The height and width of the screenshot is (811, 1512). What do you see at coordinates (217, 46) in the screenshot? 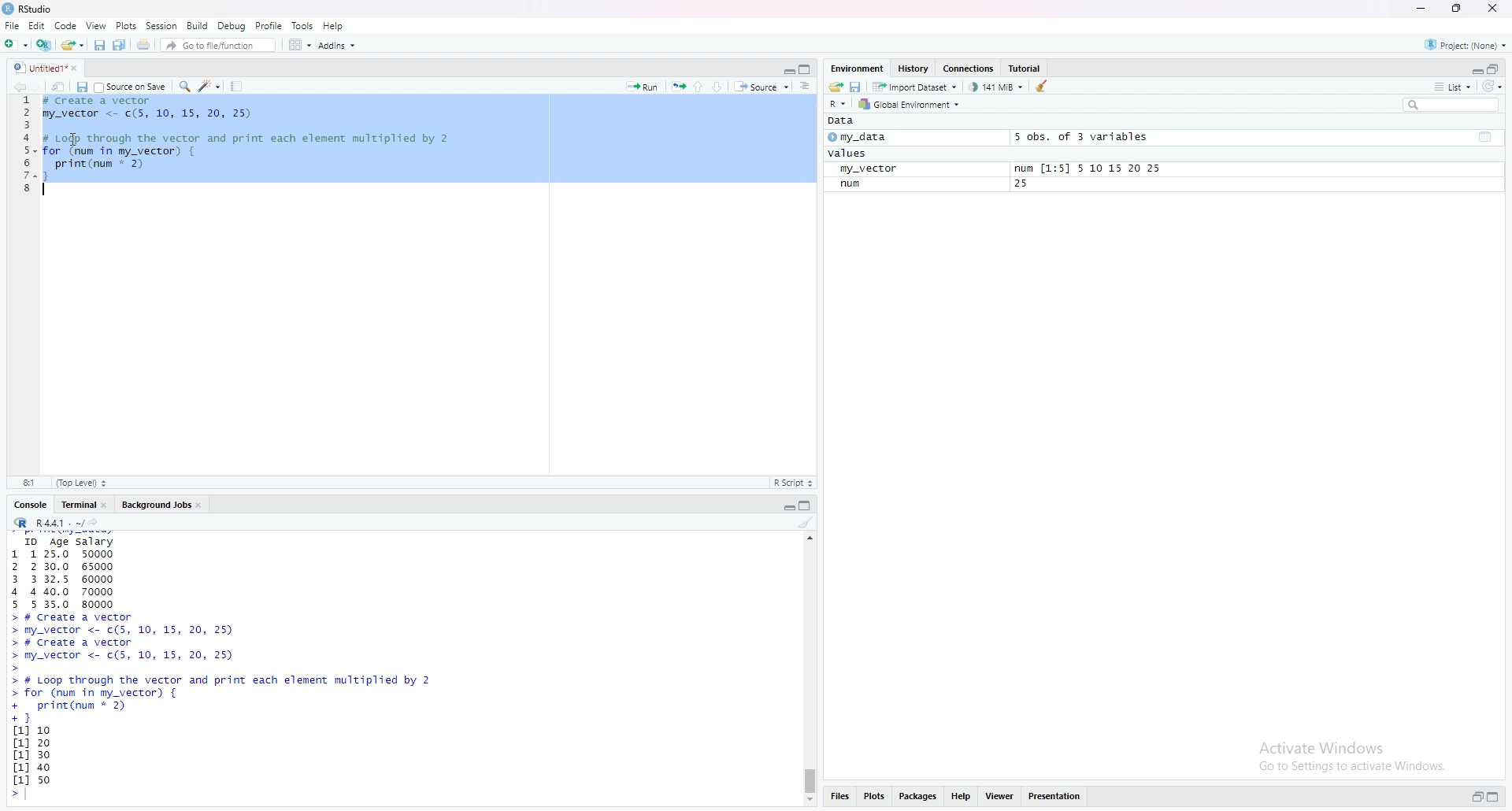
I see `Go to file/function` at bounding box center [217, 46].